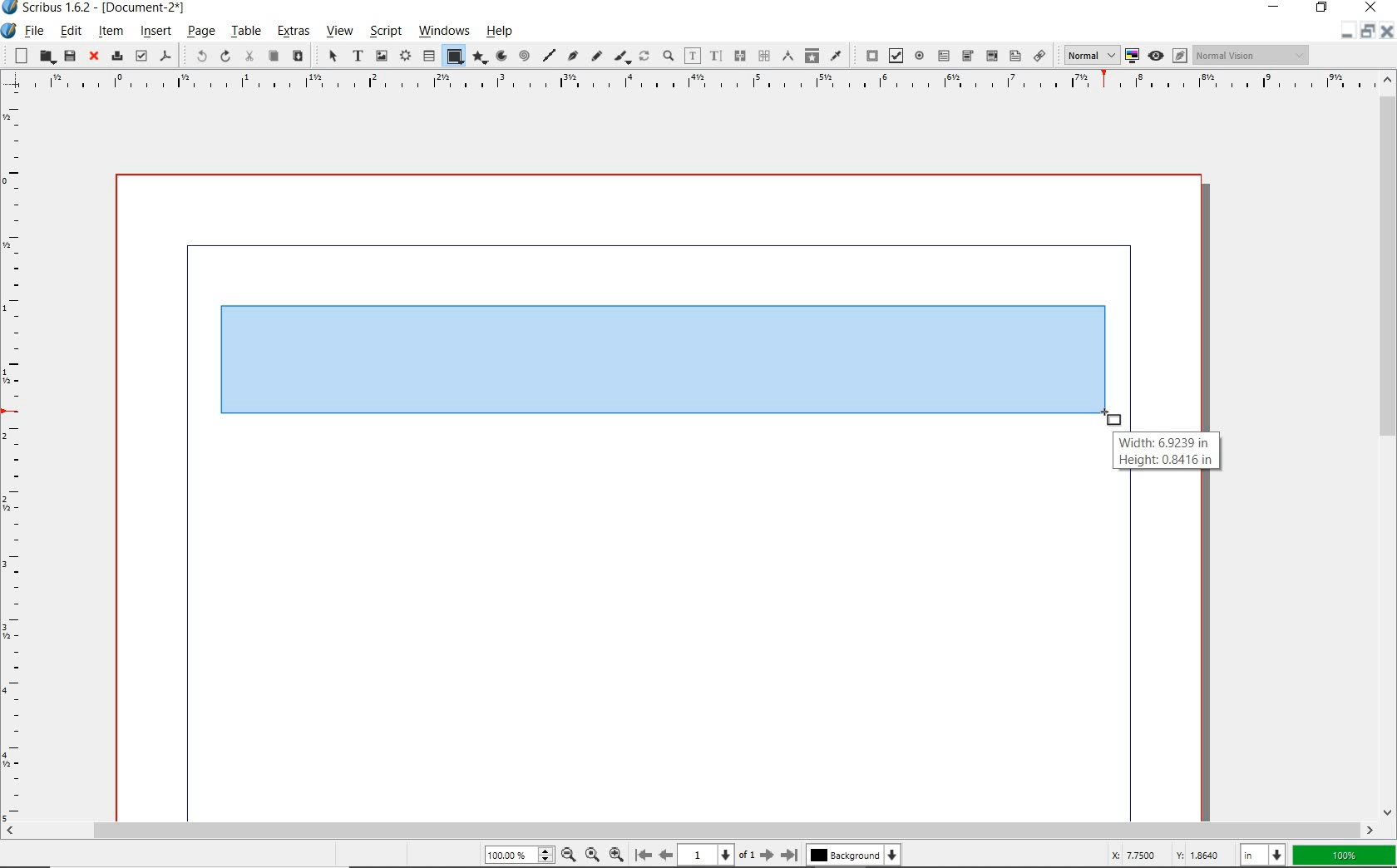  I want to click on eye dropper, so click(836, 57).